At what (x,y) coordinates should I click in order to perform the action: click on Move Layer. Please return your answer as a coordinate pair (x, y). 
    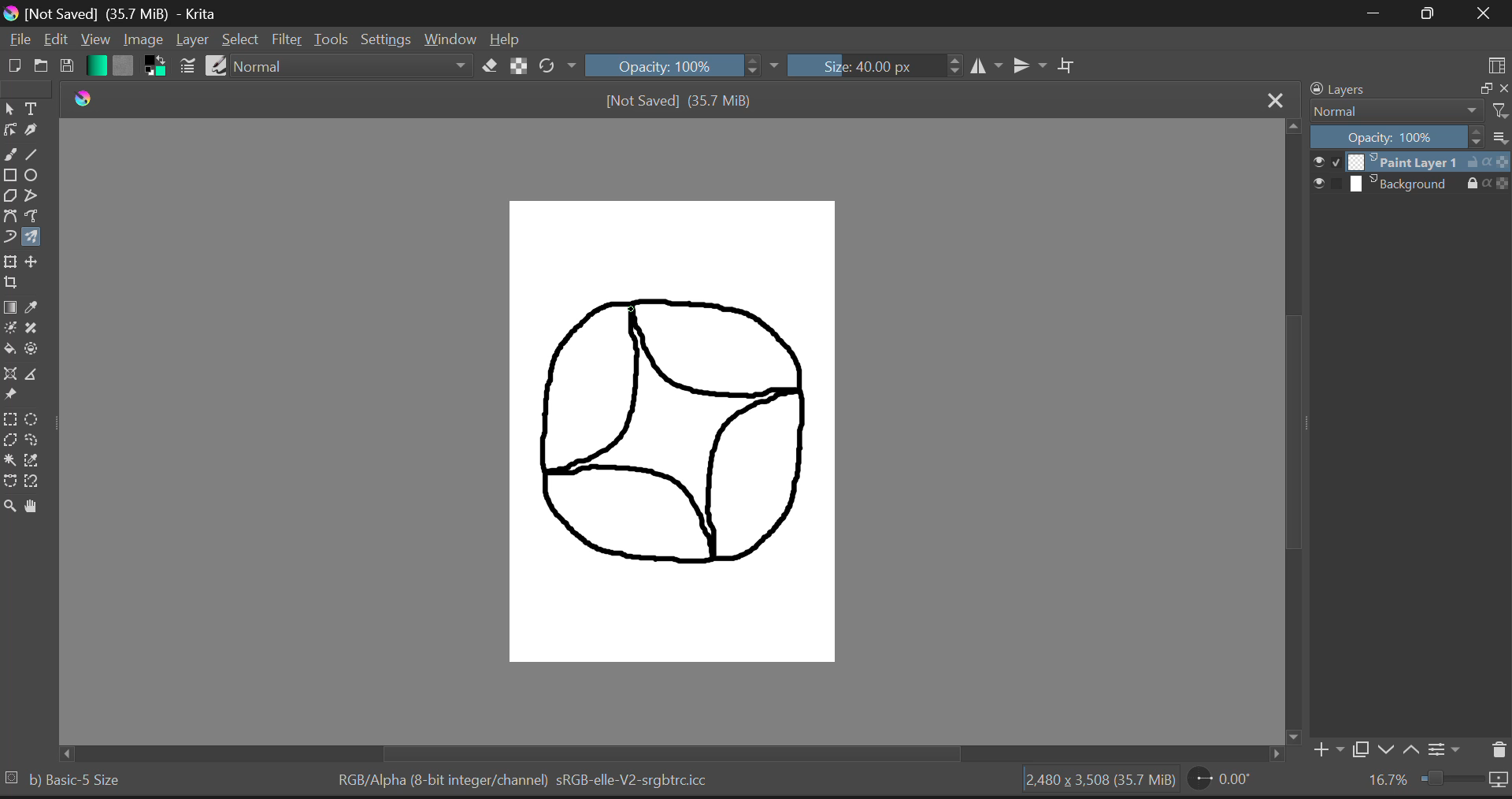
    Looking at the image, I should click on (35, 263).